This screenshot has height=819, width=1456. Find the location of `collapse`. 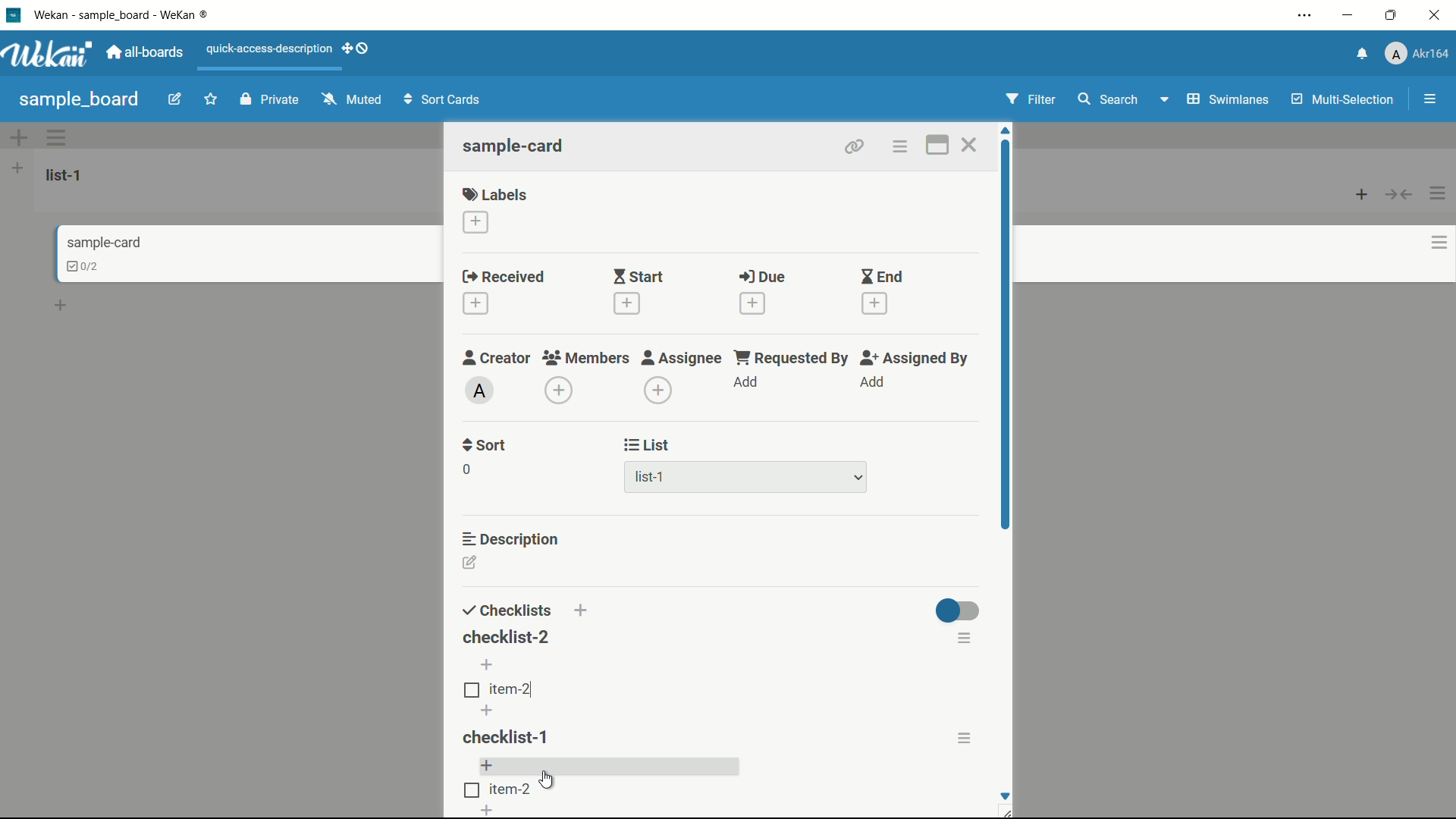

collapse is located at coordinates (1400, 194).